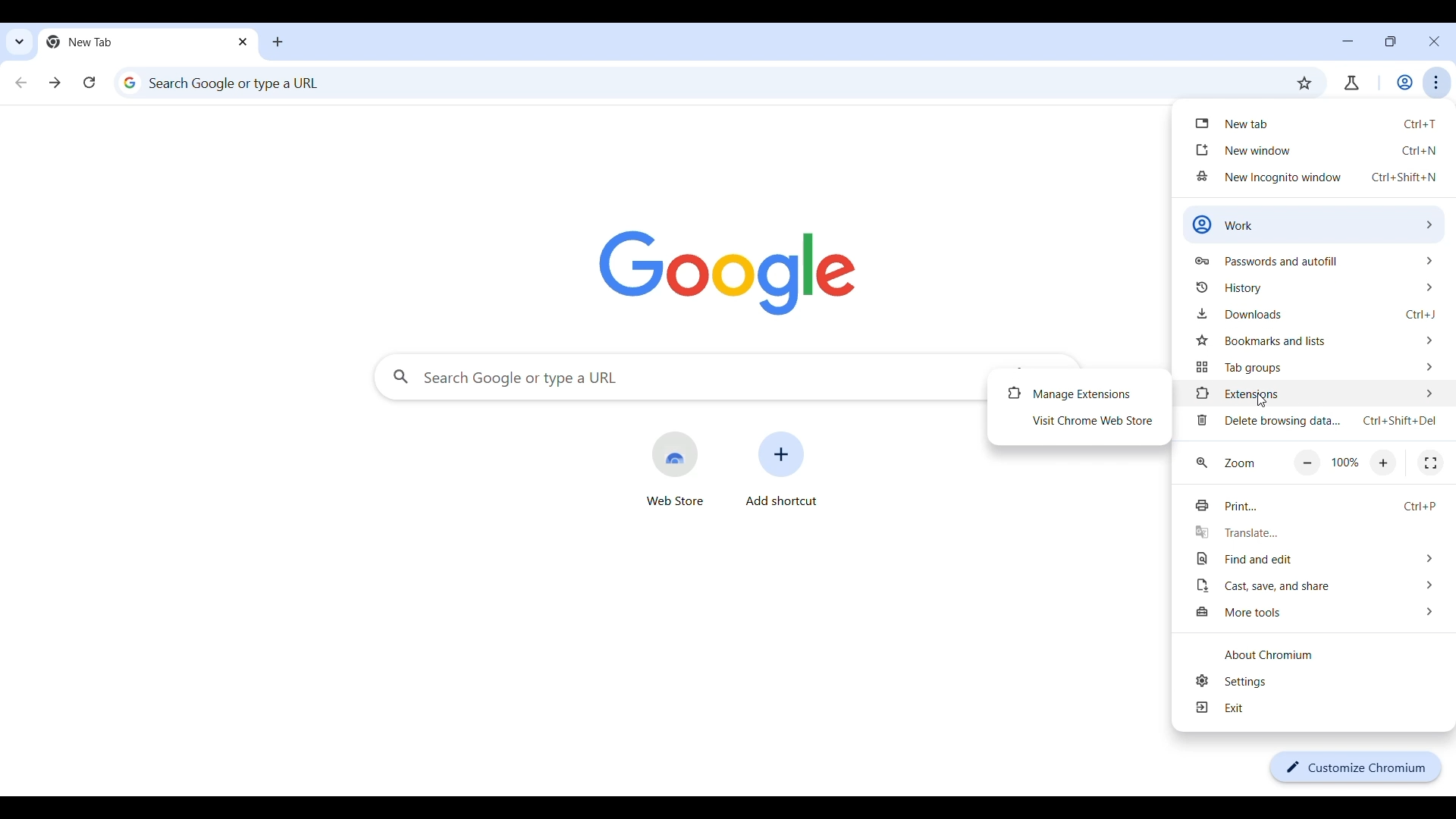 The height and width of the screenshot is (819, 1456). What do you see at coordinates (1316, 177) in the screenshot?
I see `Open new incognito window` at bounding box center [1316, 177].